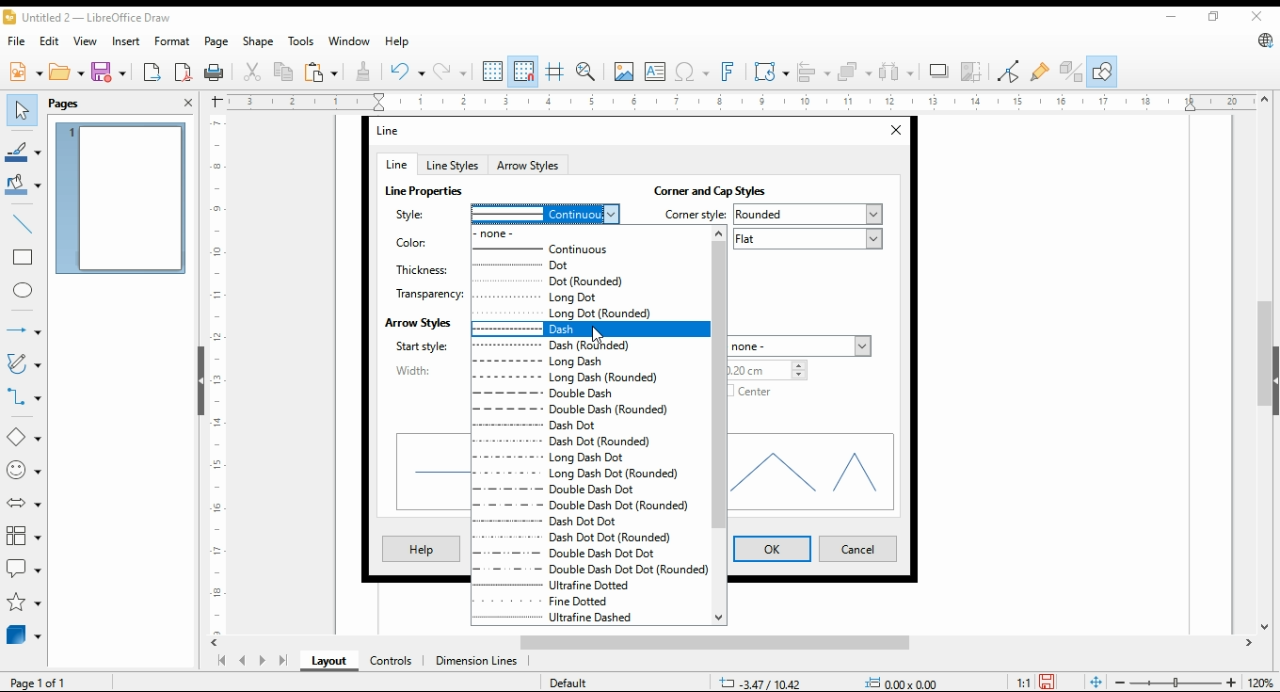 The height and width of the screenshot is (692, 1280). I want to click on curves and polygons, so click(22, 365).